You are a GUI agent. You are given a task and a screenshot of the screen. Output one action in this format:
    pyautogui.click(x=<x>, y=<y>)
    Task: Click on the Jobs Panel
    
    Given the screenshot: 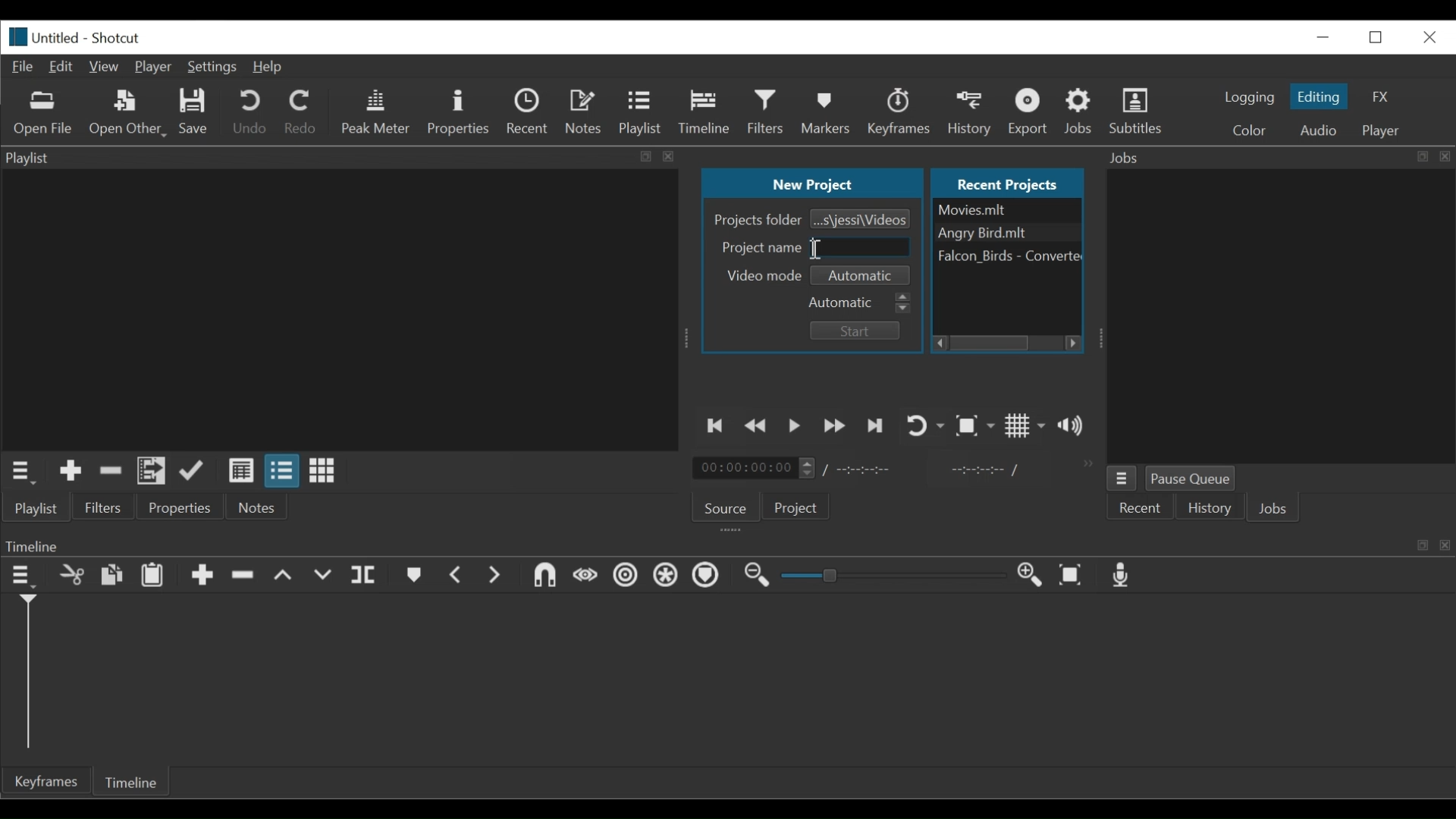 What is the action you would take?
    pyautogui.click(x=1280, y=315)
    